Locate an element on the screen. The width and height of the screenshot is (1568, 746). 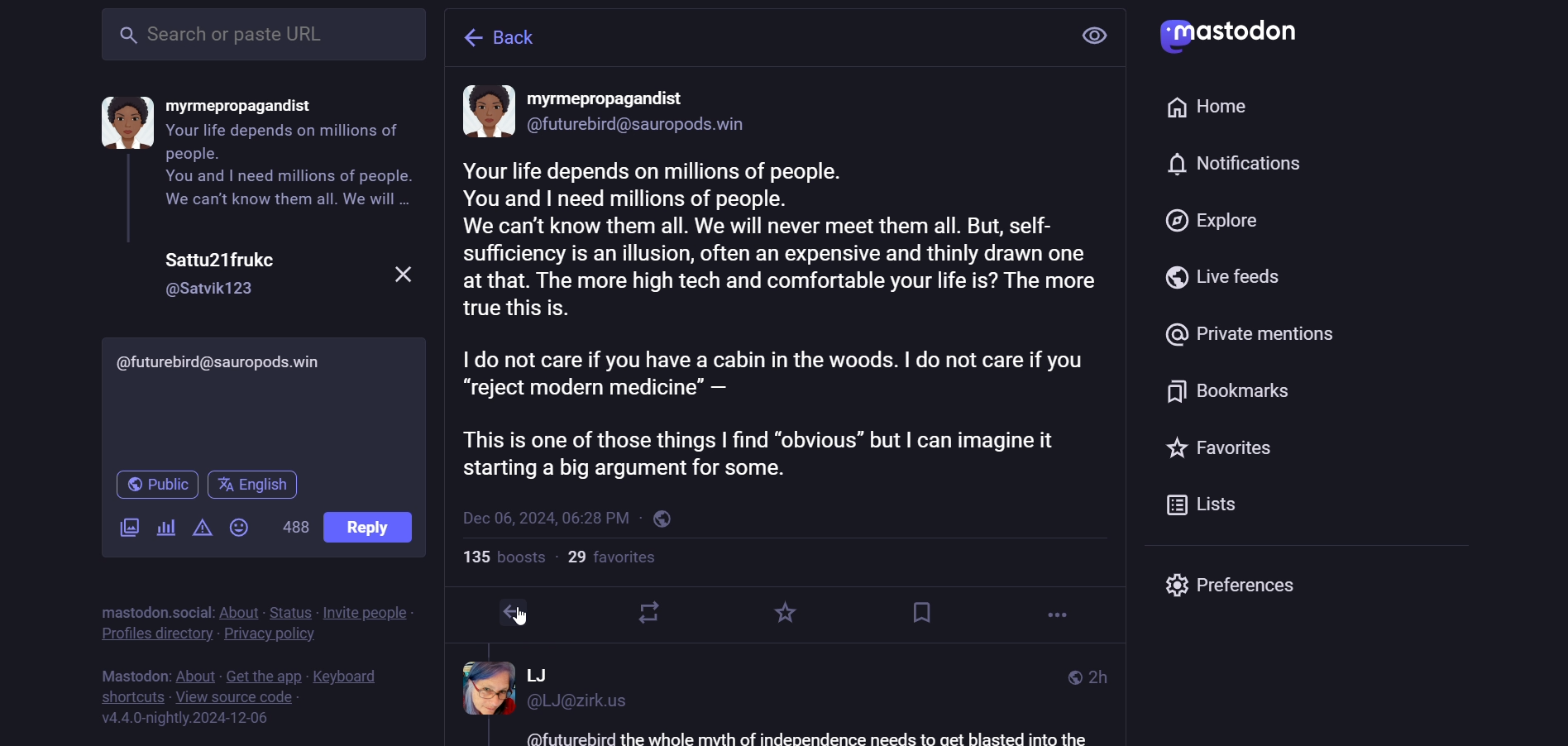
profiles is located at coordinates (155, 635).